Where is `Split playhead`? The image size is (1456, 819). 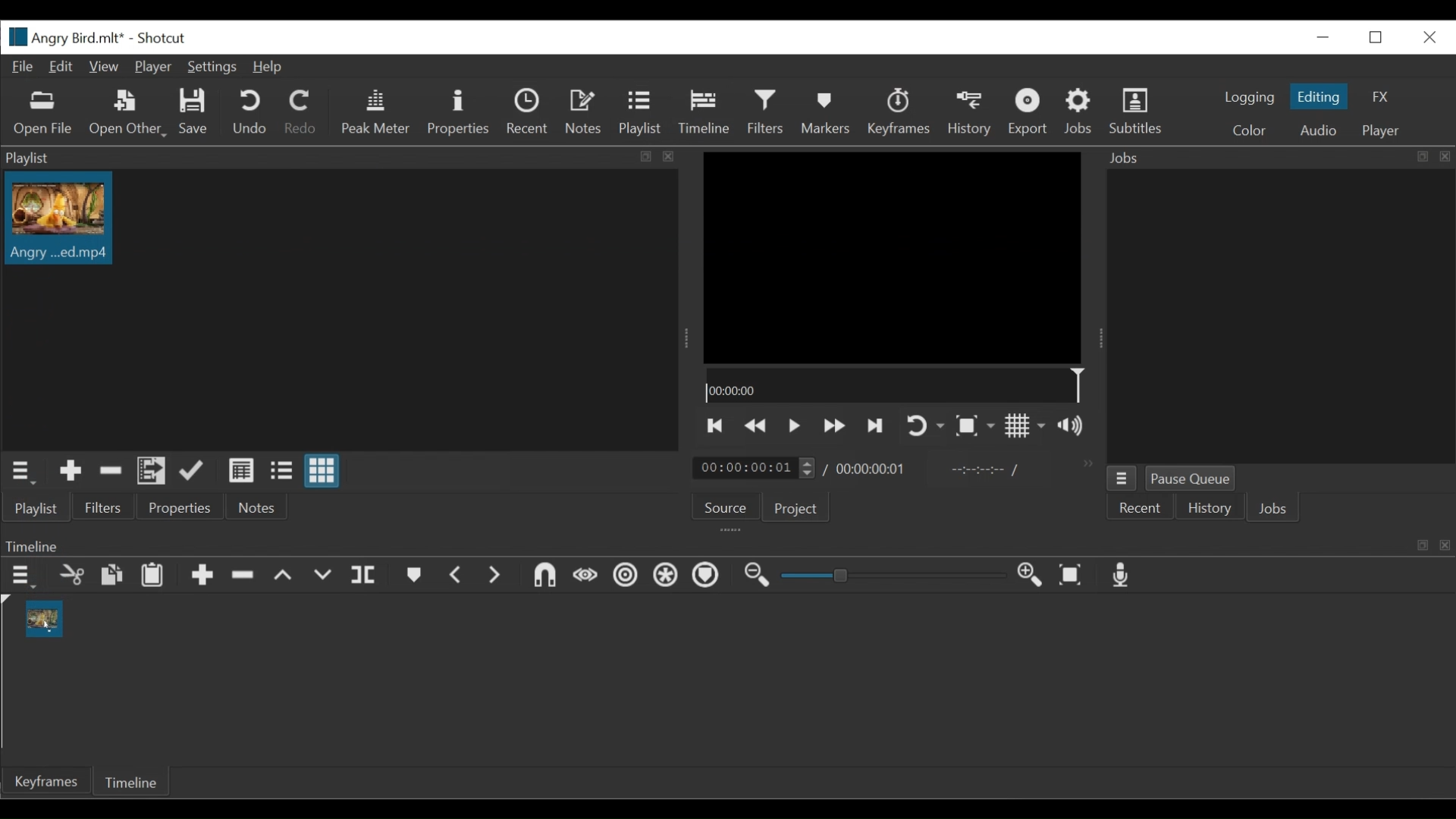 Split playhead is located at coordinates (365, 576).